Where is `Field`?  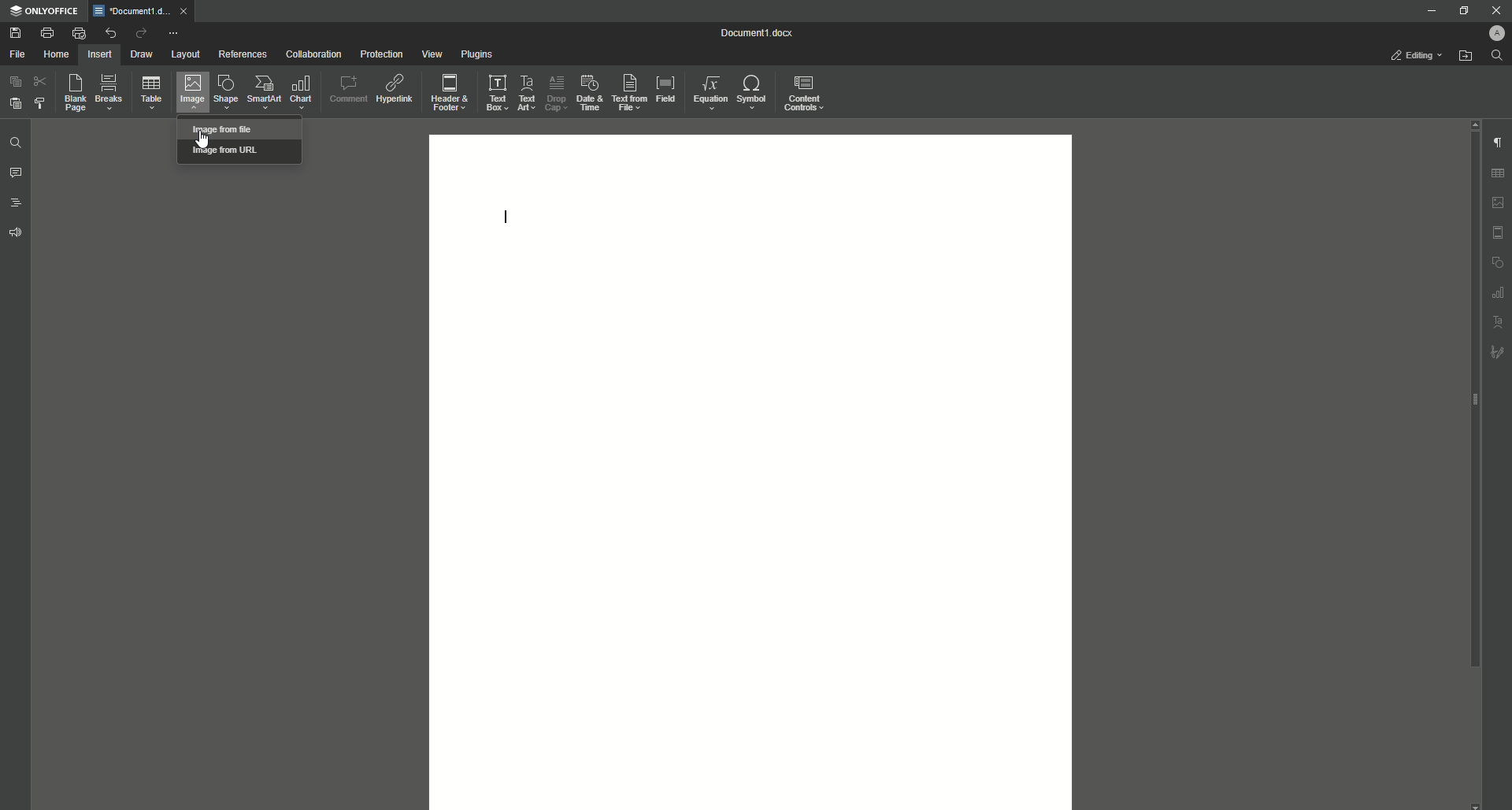
Field is located at coordinates (667, 93).